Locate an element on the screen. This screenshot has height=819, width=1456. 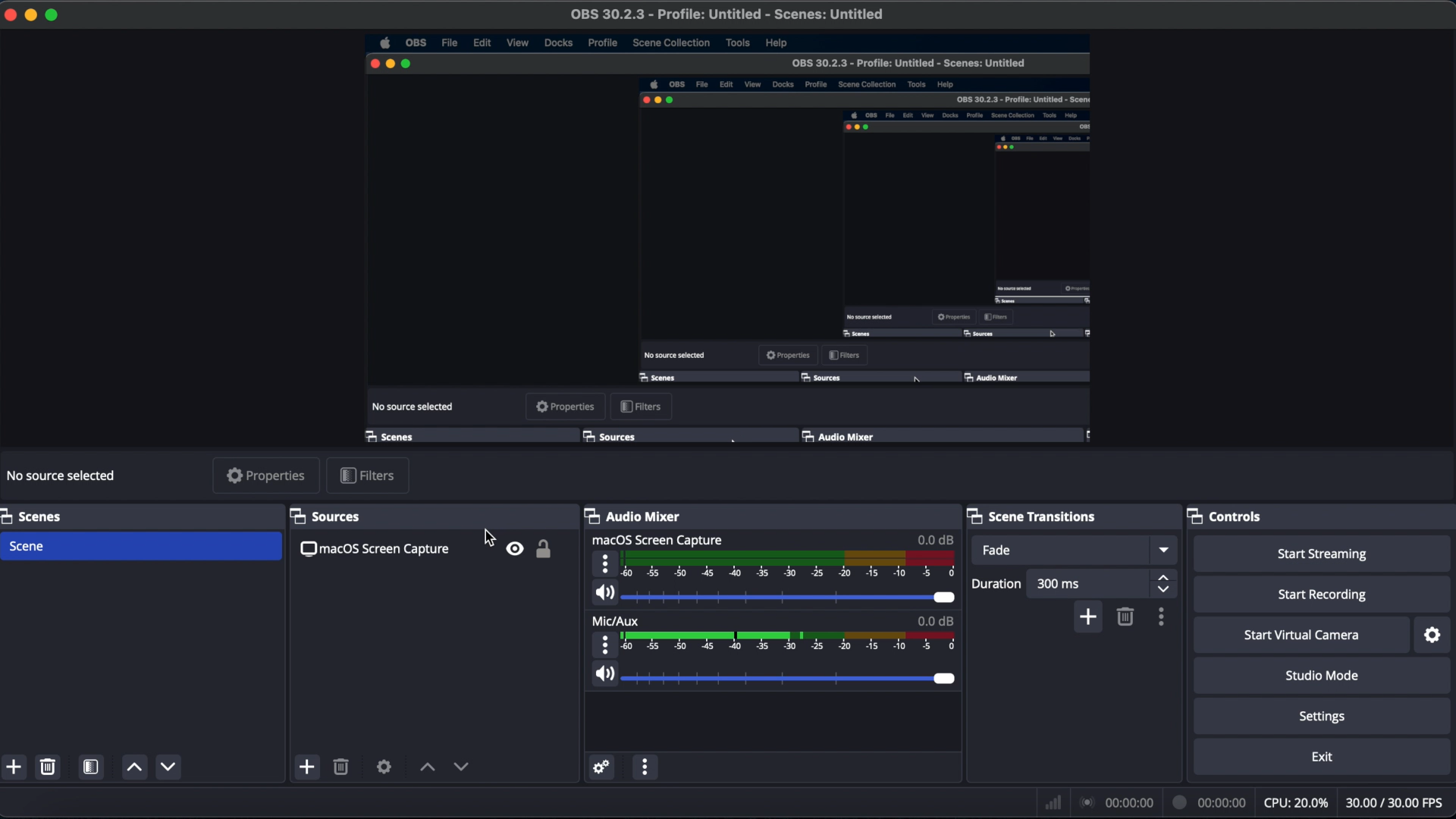
0.0 dB is located at coordinates (936, 539).